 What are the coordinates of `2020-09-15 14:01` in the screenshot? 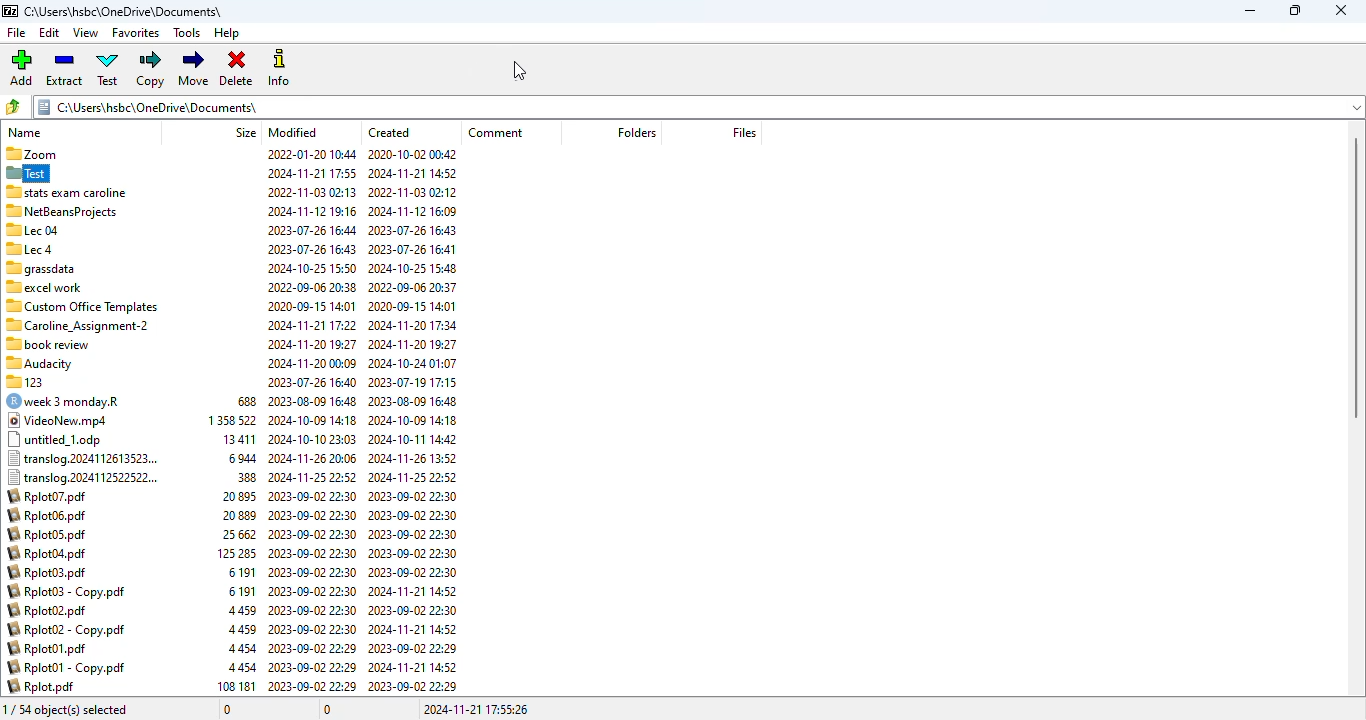 It's located at (413, 307).